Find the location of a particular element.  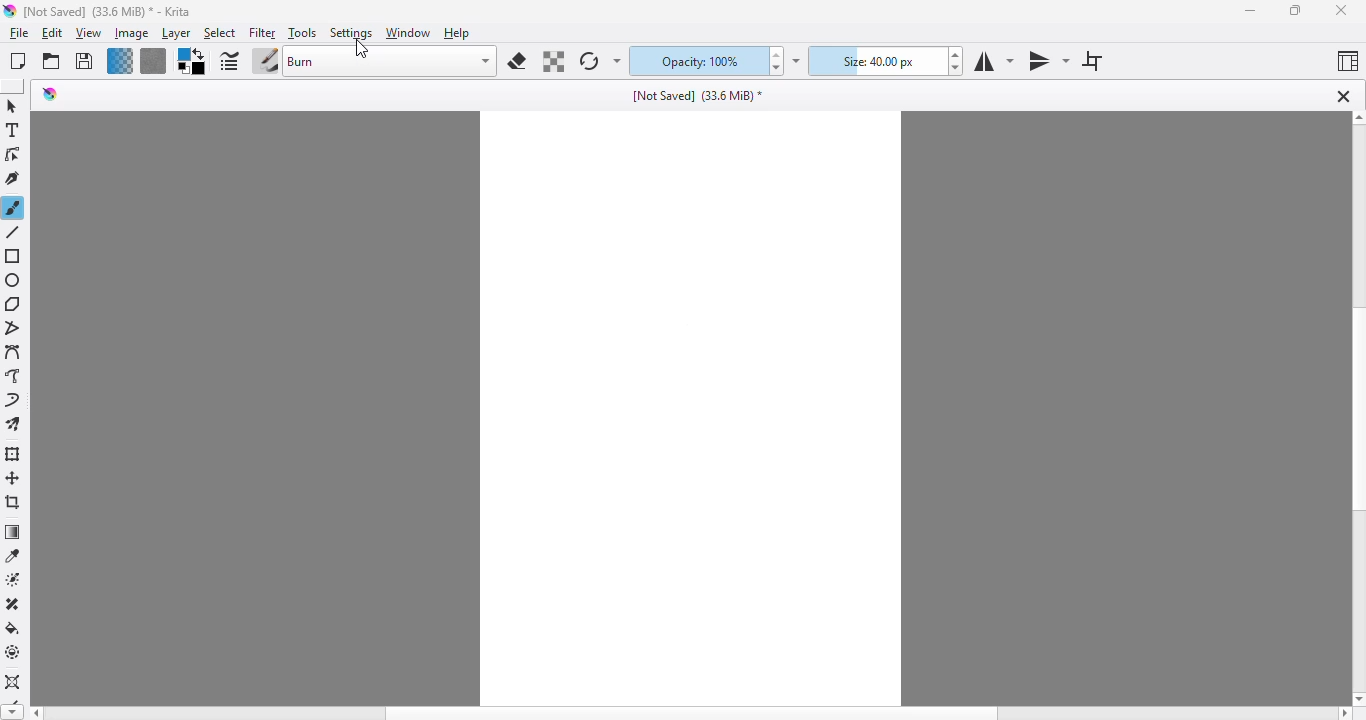

opacity is located at coordinates (695, 62).